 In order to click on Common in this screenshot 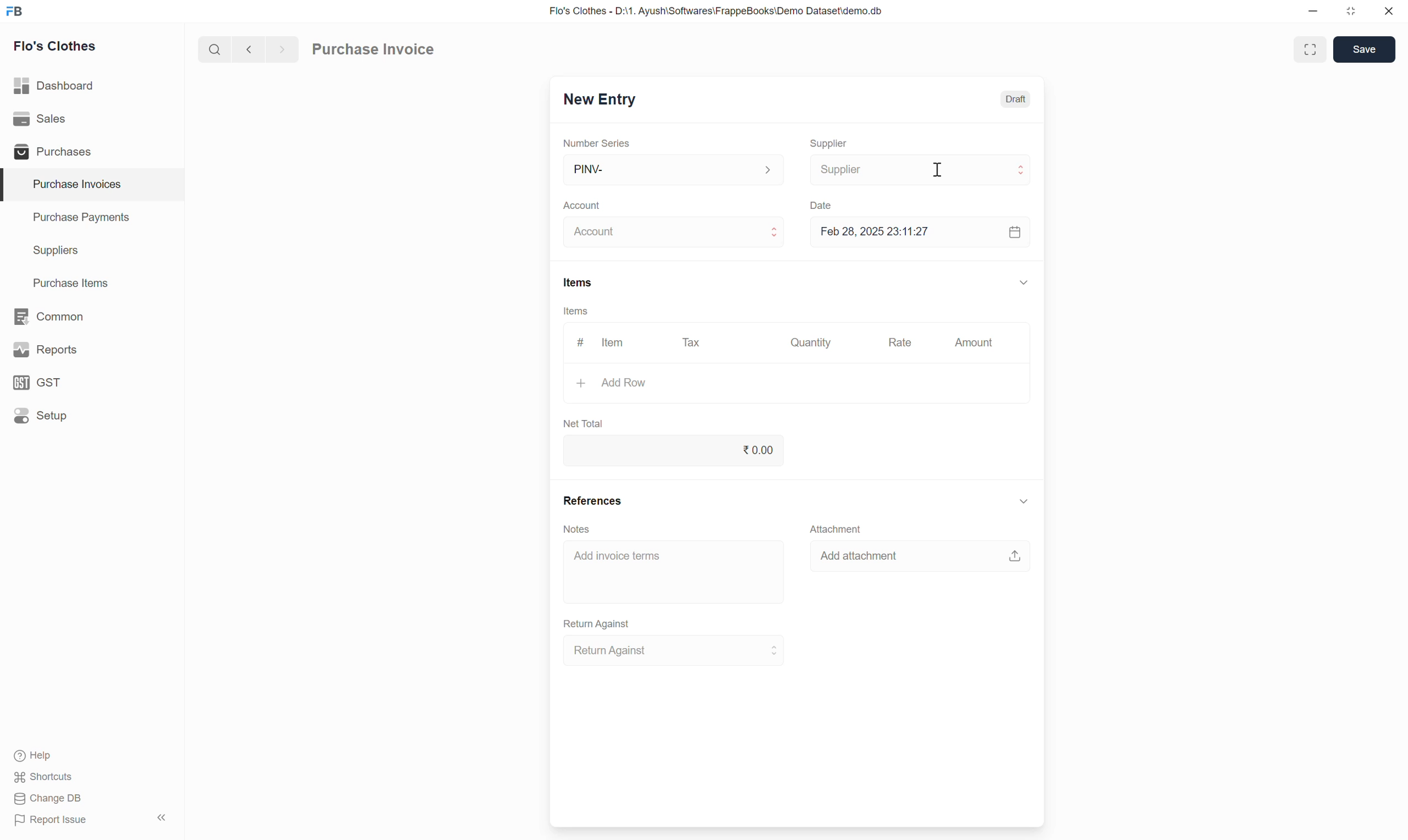, I will do `click(92, 316)`.